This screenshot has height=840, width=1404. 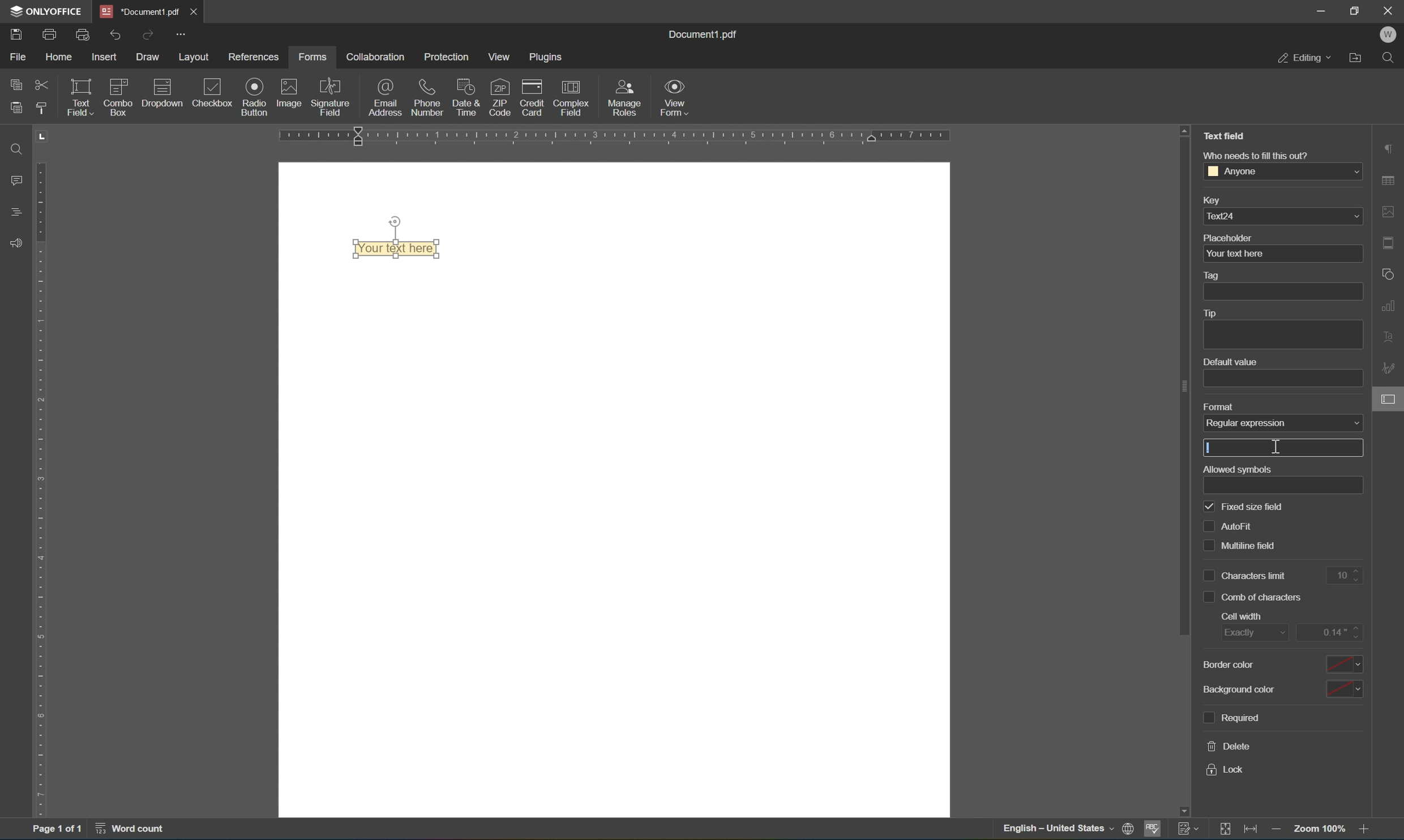 What do you see at coordinates (1390, 335) in the screenshot?
I see `text art settings` at bounding box center [1390, 335].